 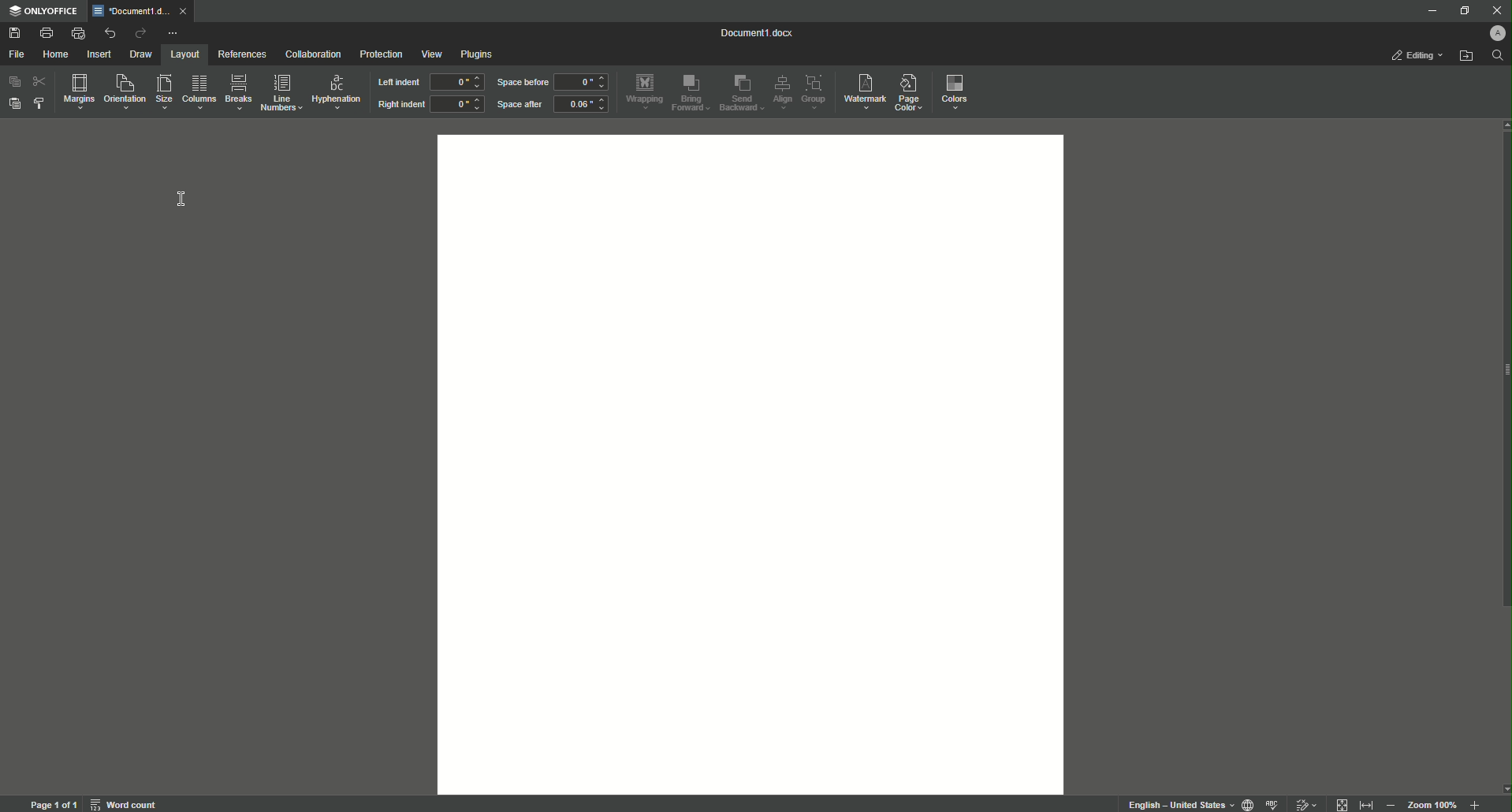 What do you see at coordinates (239, 93) in the screenshot?
I see `Breaks` at bounding box center [239, 93].